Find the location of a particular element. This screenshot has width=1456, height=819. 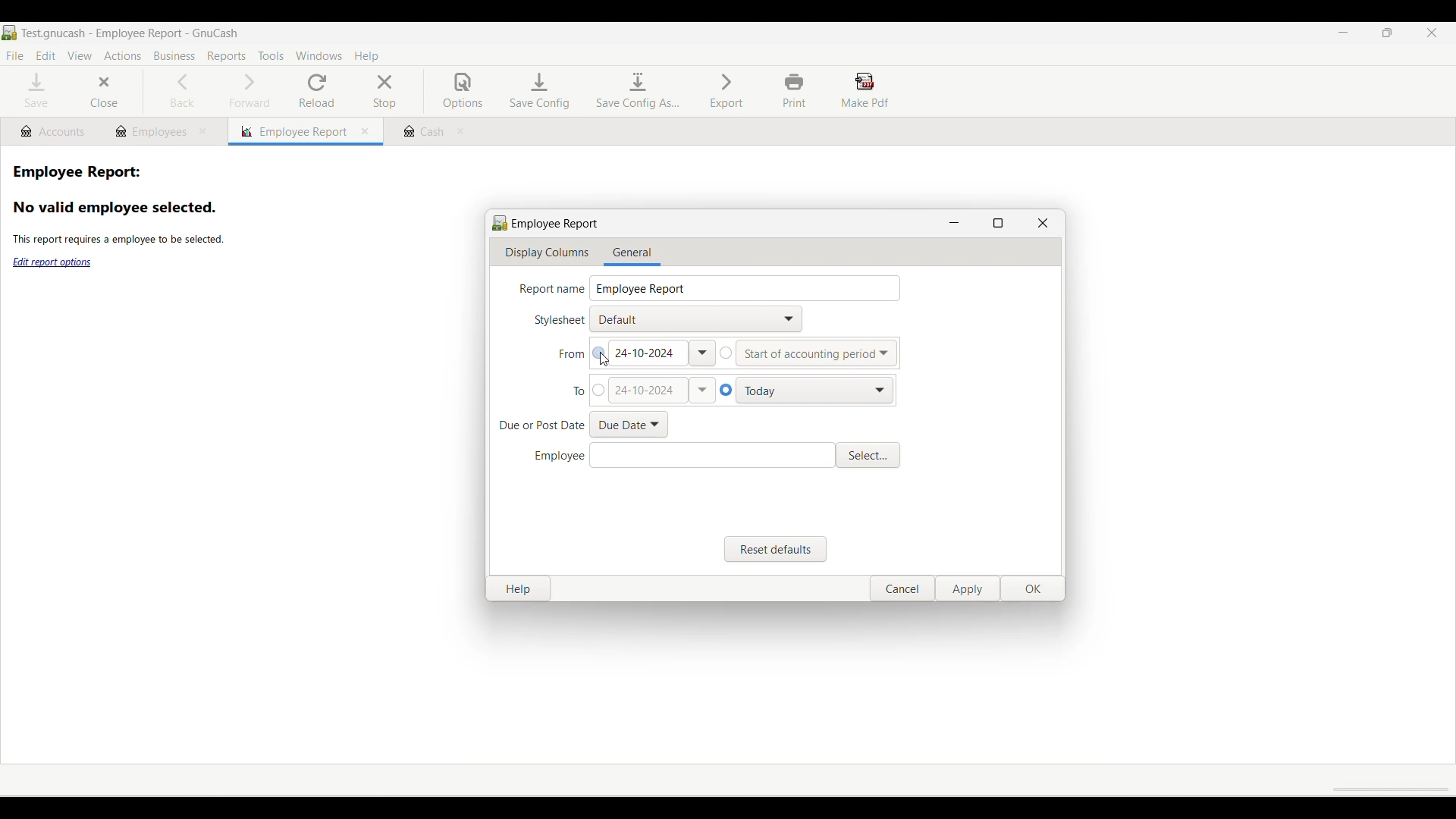

Close window is located at coordinates (1042, 224).